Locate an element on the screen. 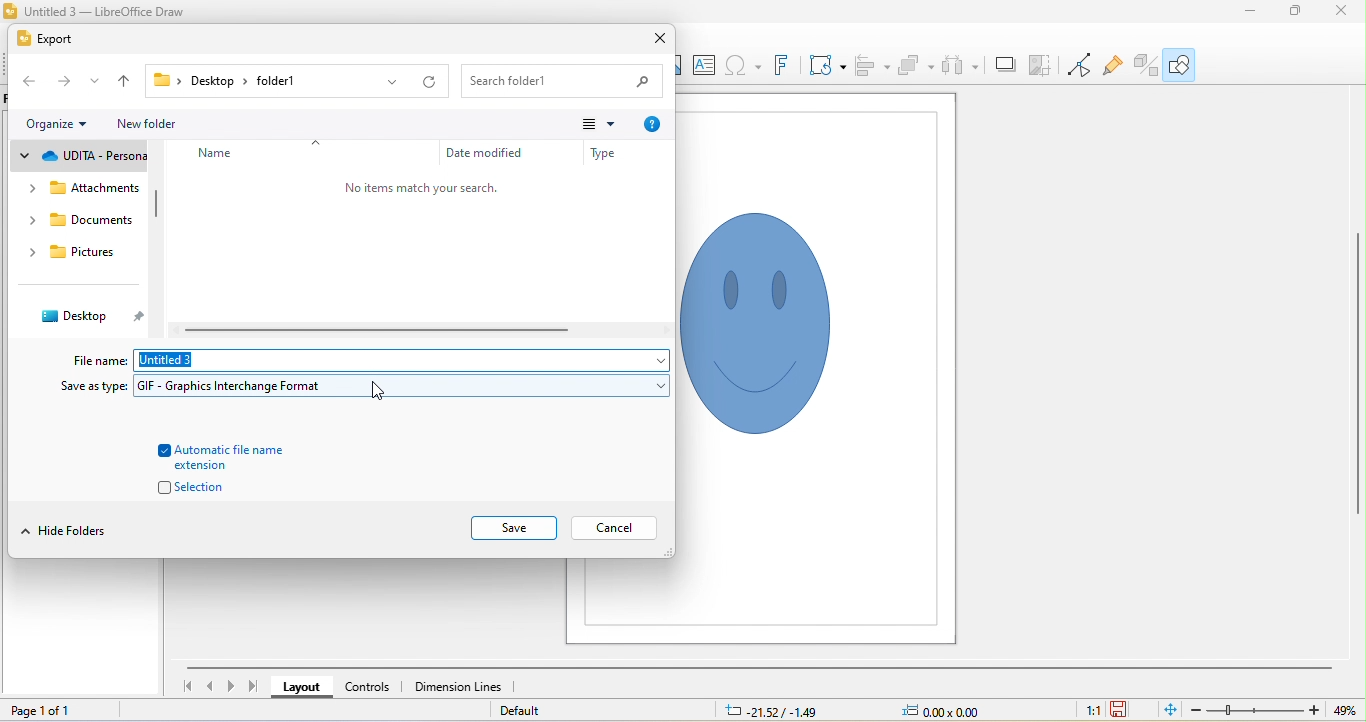  search bar is located at coordinates (562, 81).